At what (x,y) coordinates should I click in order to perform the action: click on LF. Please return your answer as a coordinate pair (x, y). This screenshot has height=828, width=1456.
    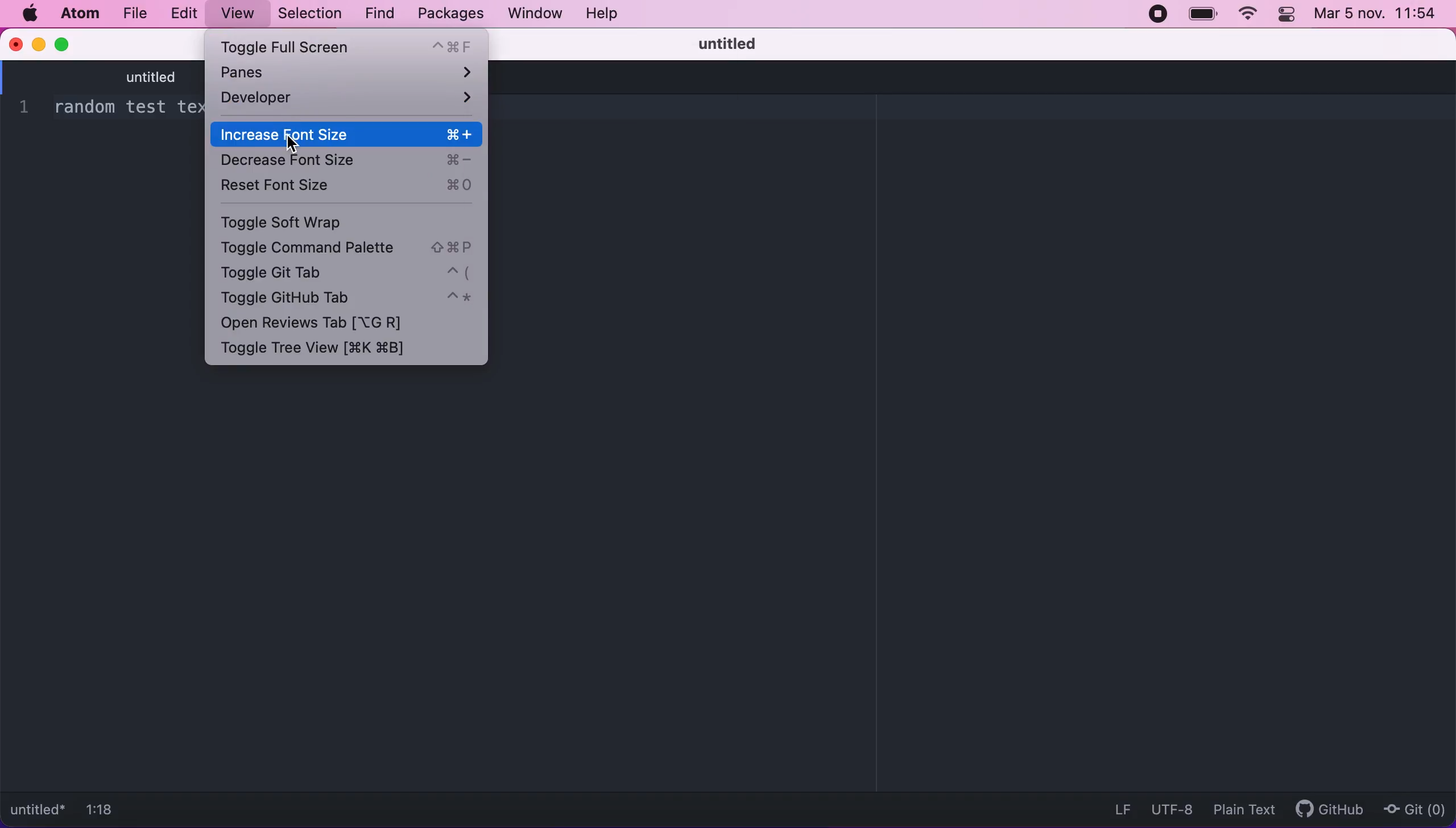
    Looking at the image, I should click on (1119, 808).